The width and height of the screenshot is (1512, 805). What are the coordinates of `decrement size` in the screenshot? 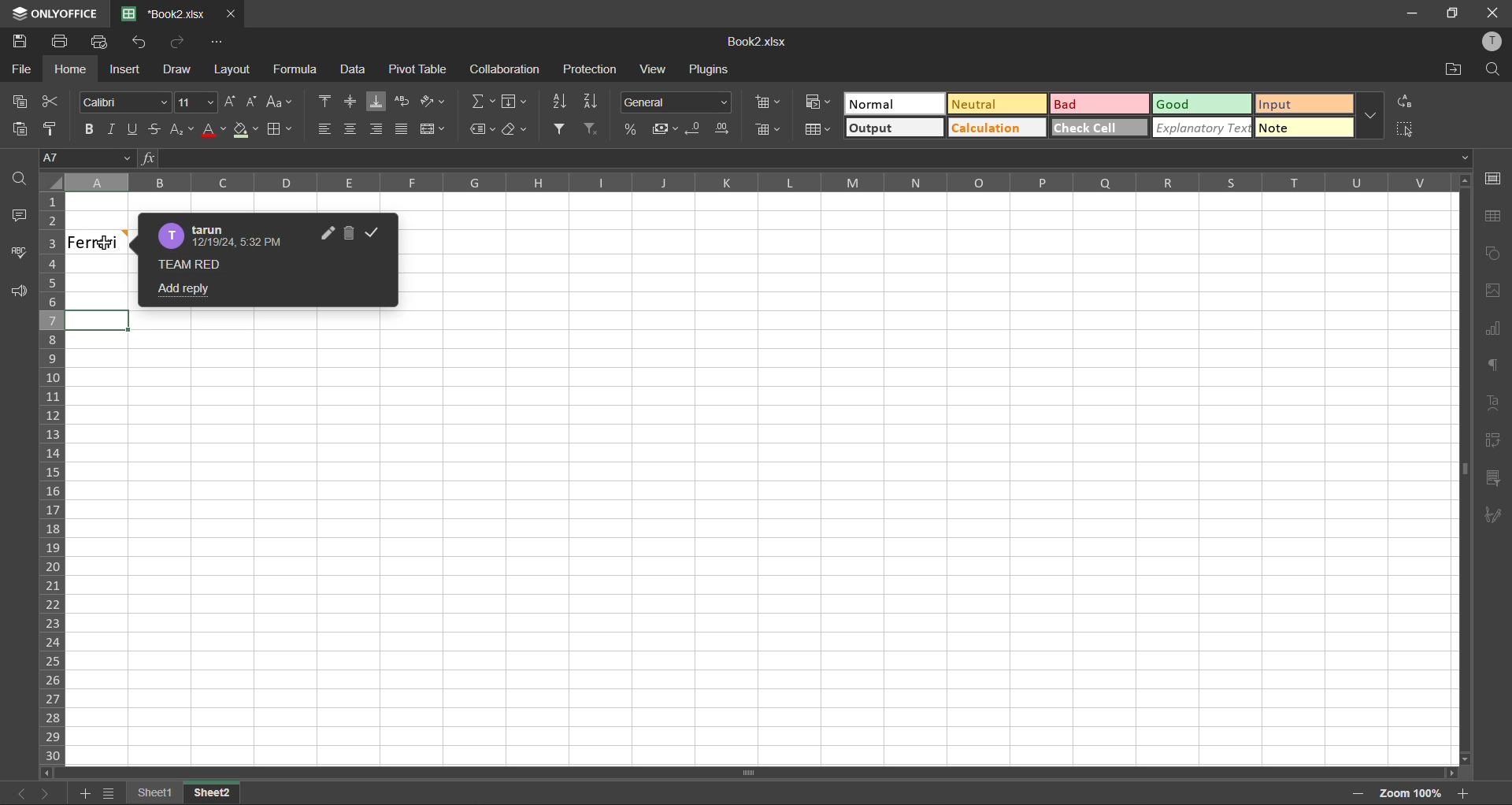 It's located at (252, 102).